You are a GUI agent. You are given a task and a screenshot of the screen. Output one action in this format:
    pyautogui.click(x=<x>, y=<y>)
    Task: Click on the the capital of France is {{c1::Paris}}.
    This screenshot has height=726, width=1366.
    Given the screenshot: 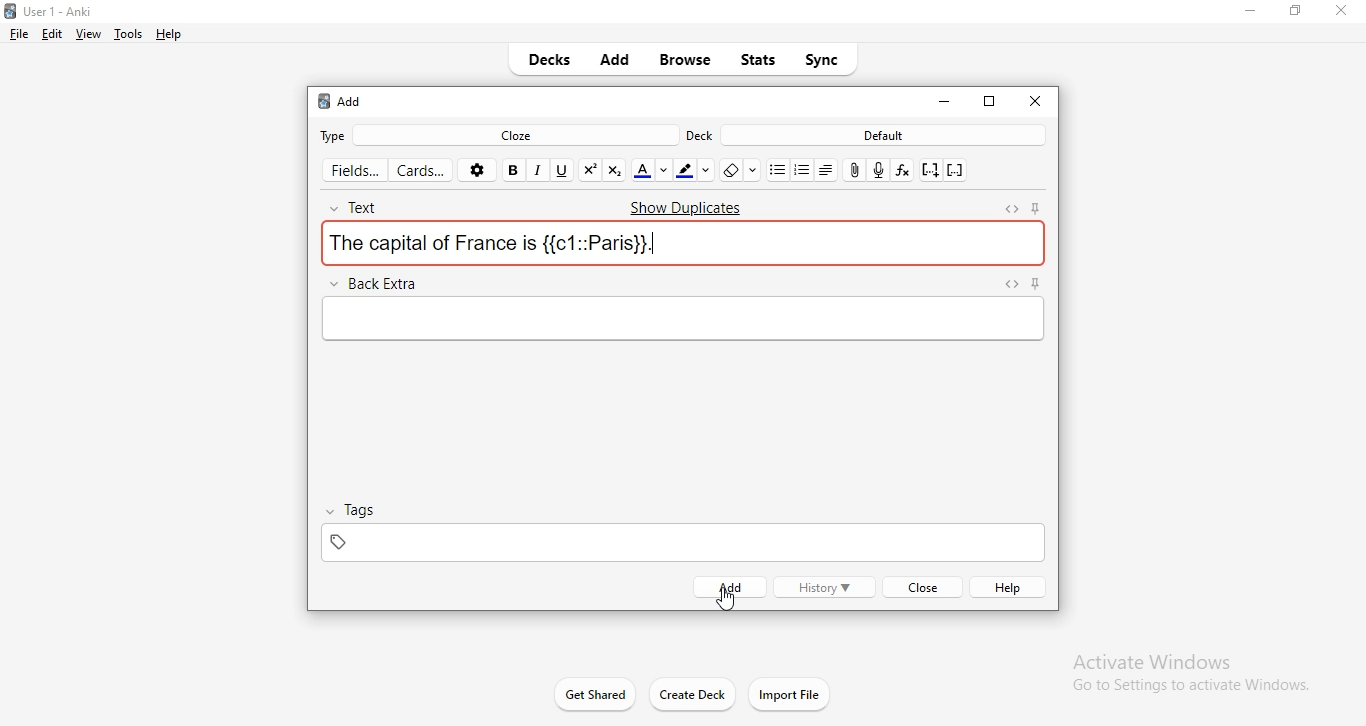 What is the action you would take?
    pyautogui.click(x=686, y=243)
    